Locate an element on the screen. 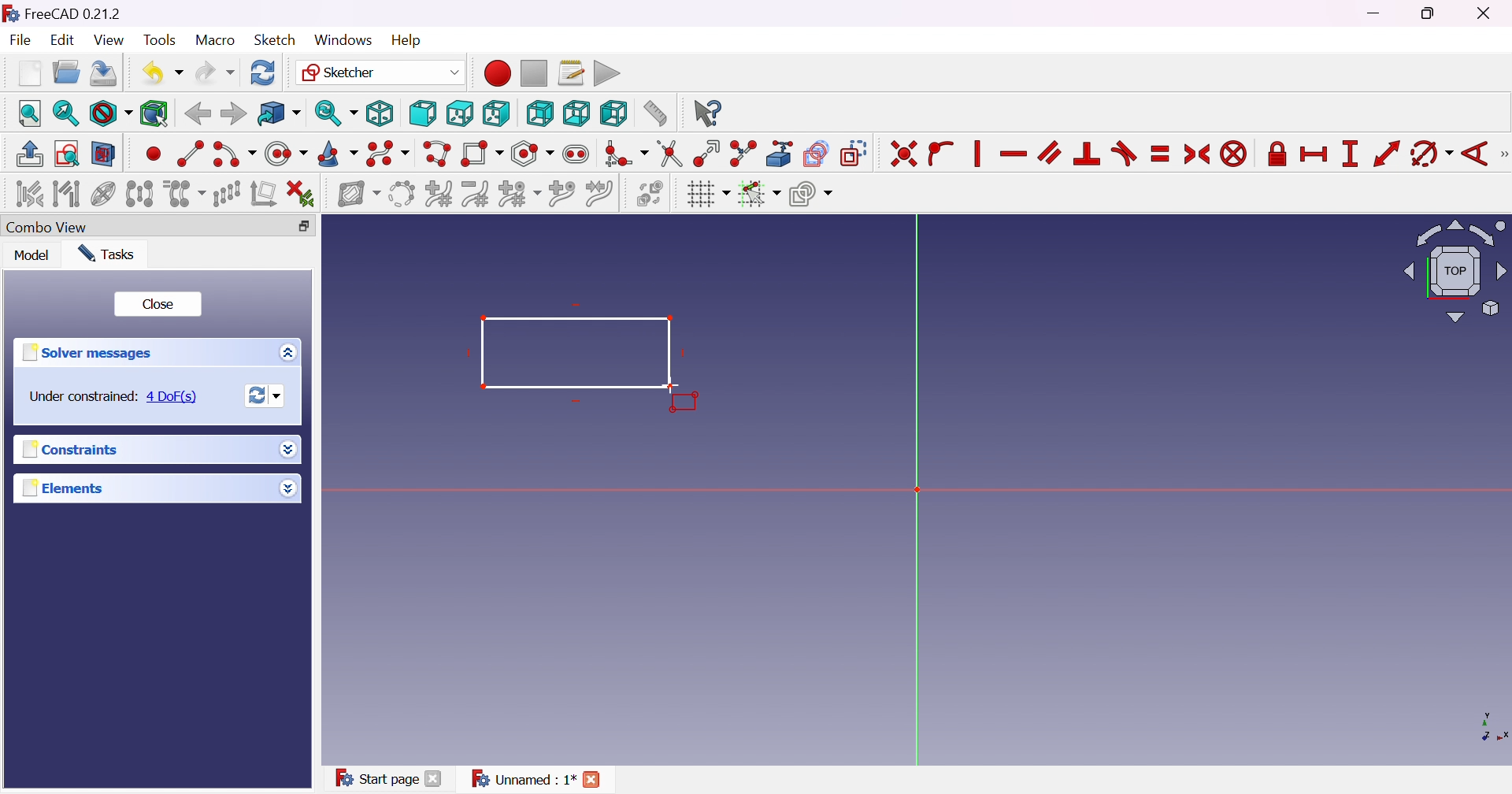  Combo is located at coordinates (51, 228).